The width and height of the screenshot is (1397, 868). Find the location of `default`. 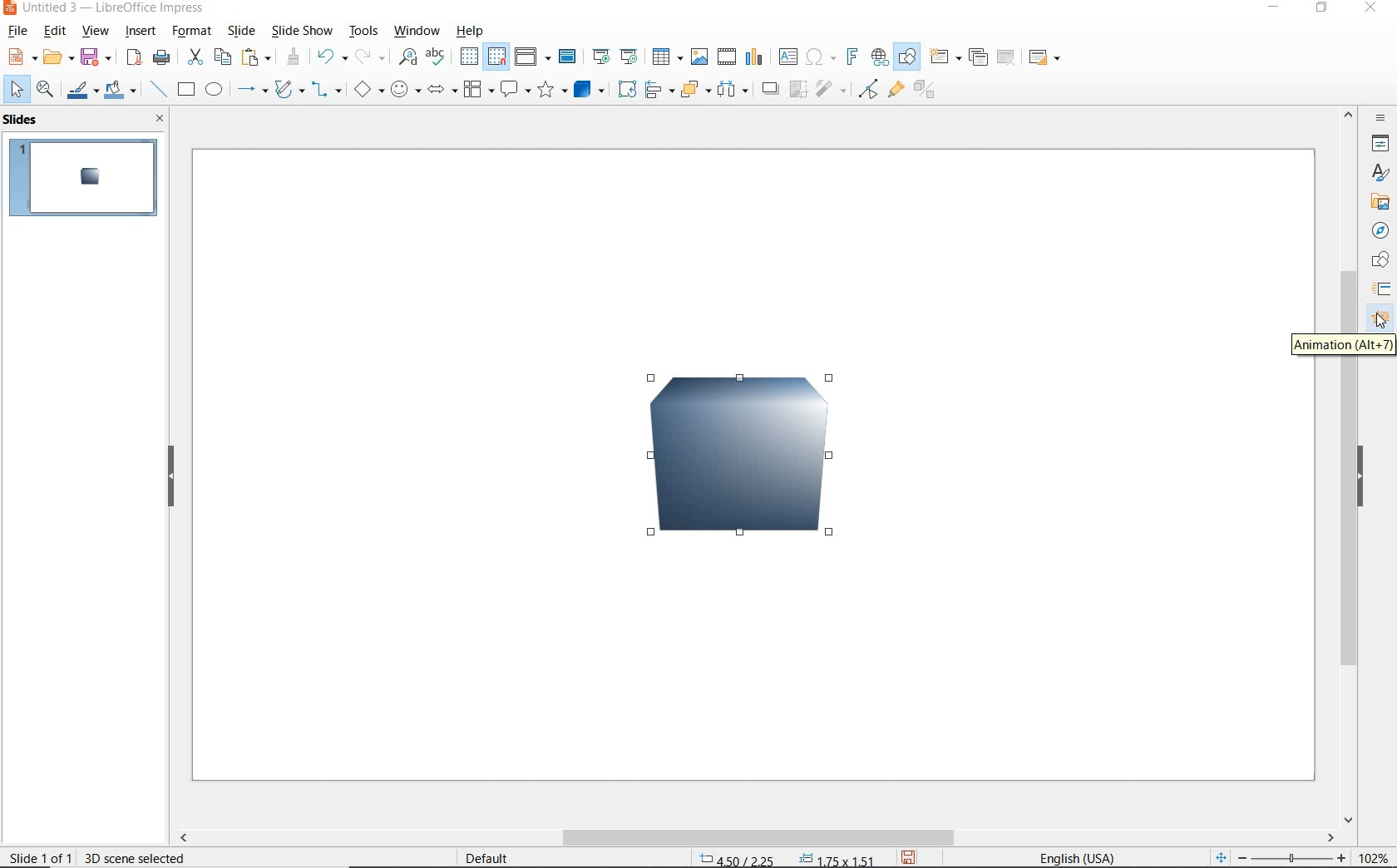

default is located at coordinates (485, 856).